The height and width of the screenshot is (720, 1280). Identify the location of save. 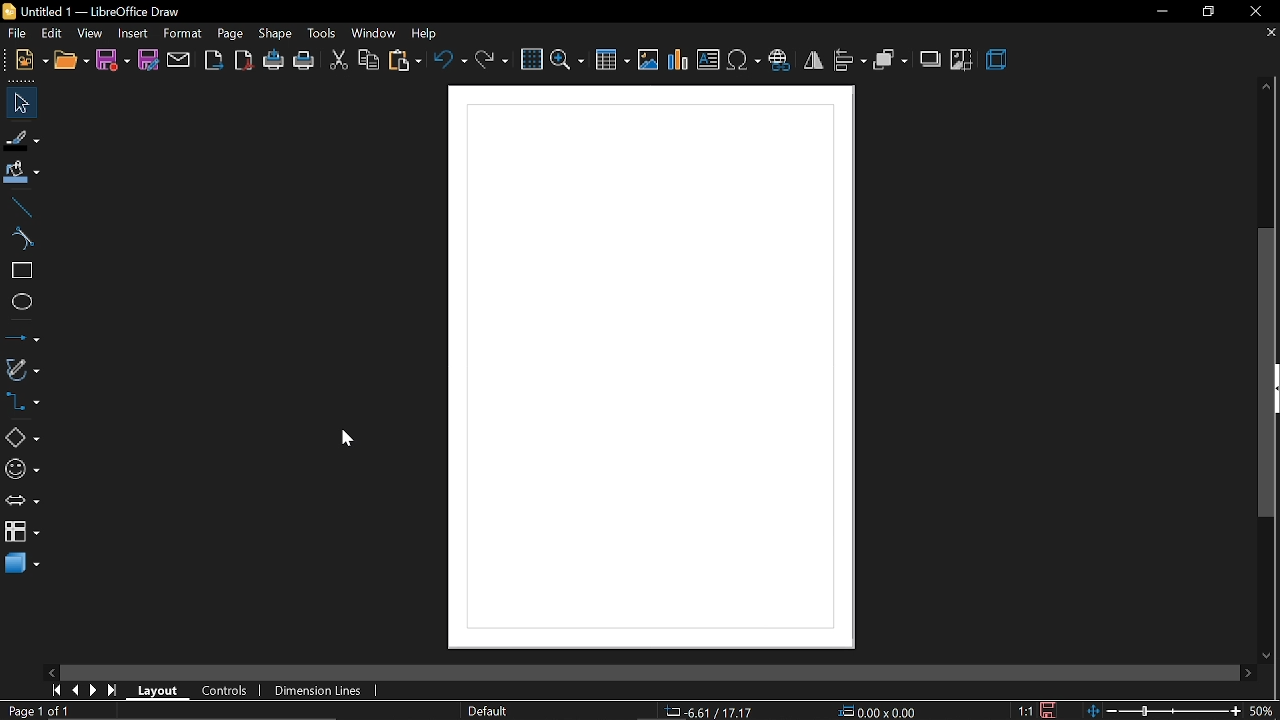
(1052, 709).